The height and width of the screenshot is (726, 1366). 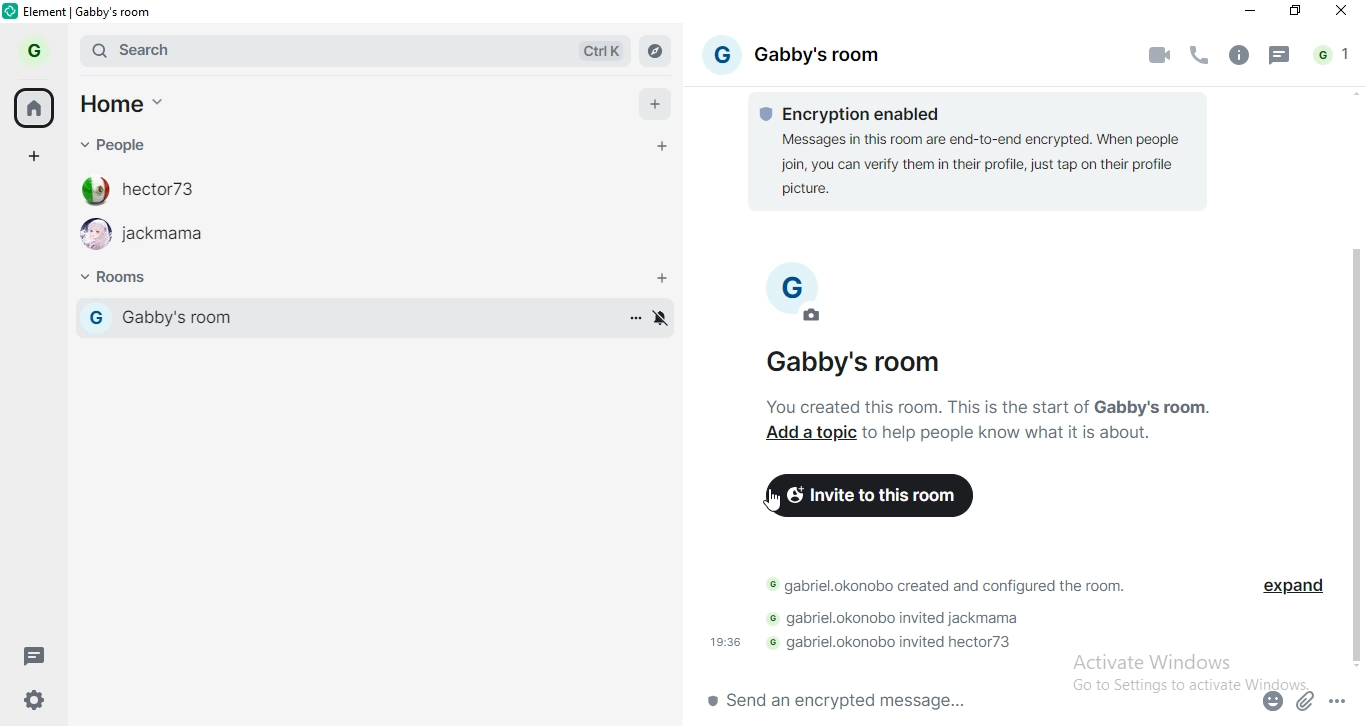 I want to click on scrollbar, so click(x=1355, y=452).